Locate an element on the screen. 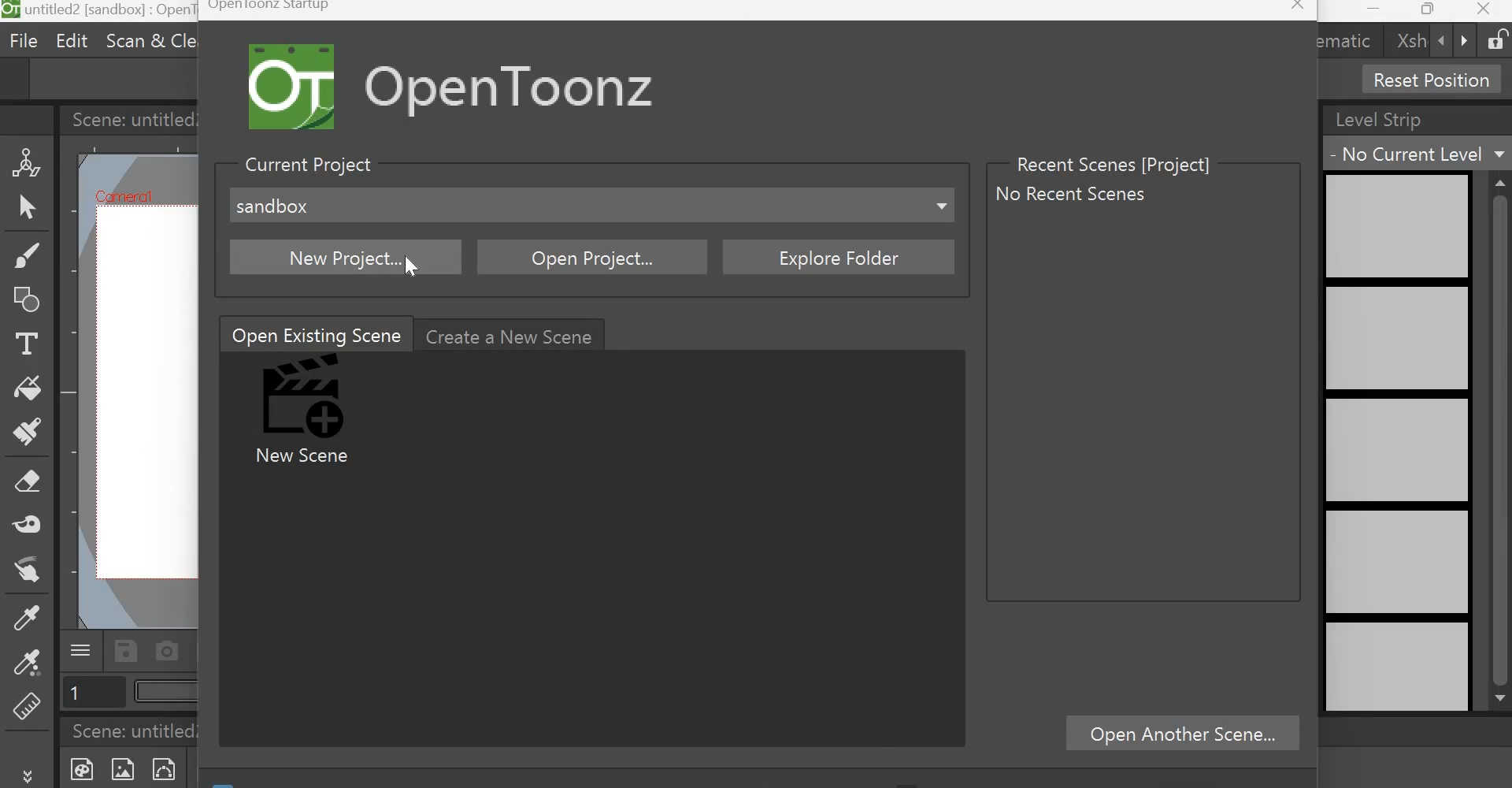  New Scene is located at coordinates (307, 412).